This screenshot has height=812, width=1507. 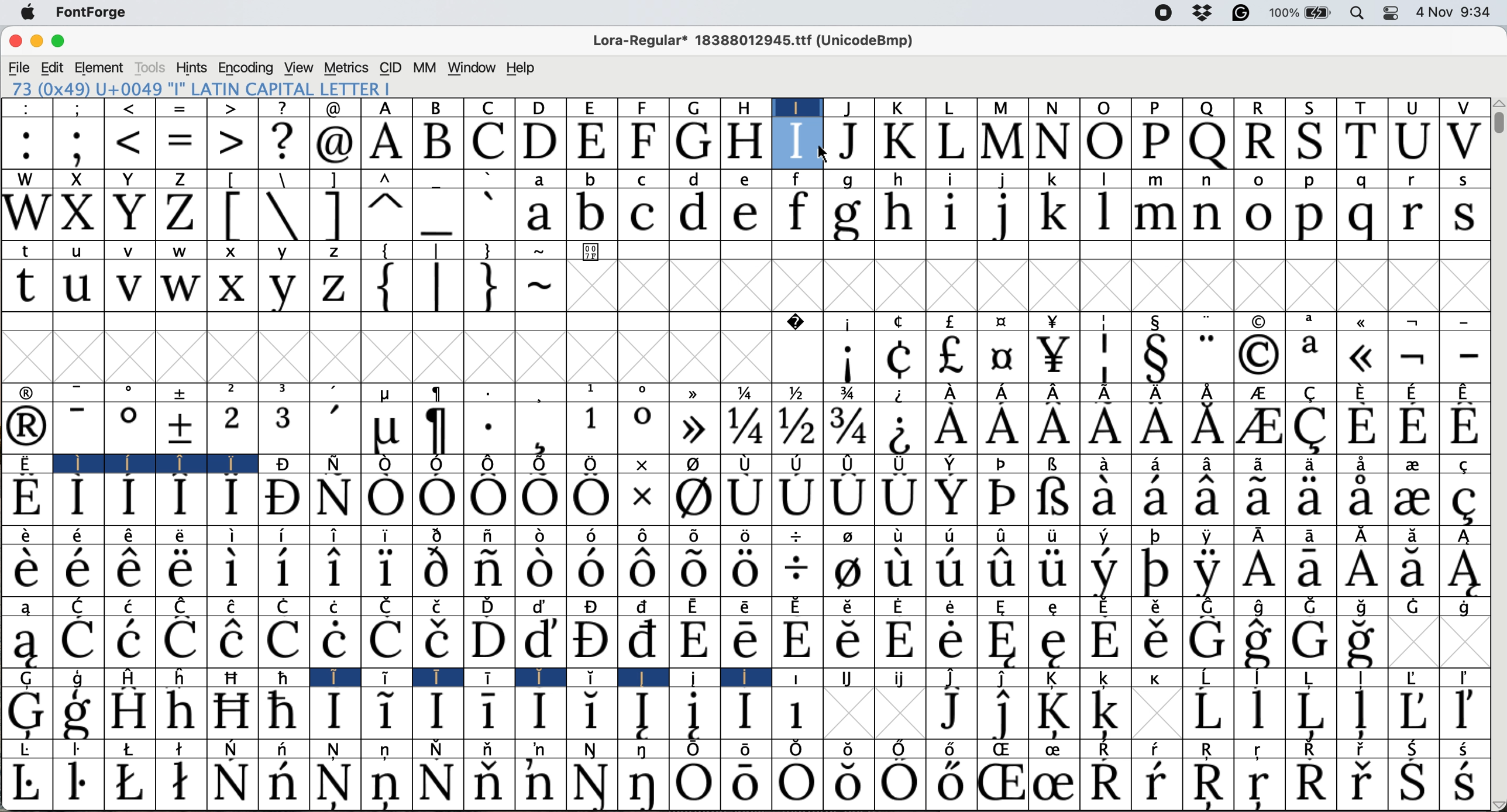 I want to click on Symbol, so click(x=902, y=785).